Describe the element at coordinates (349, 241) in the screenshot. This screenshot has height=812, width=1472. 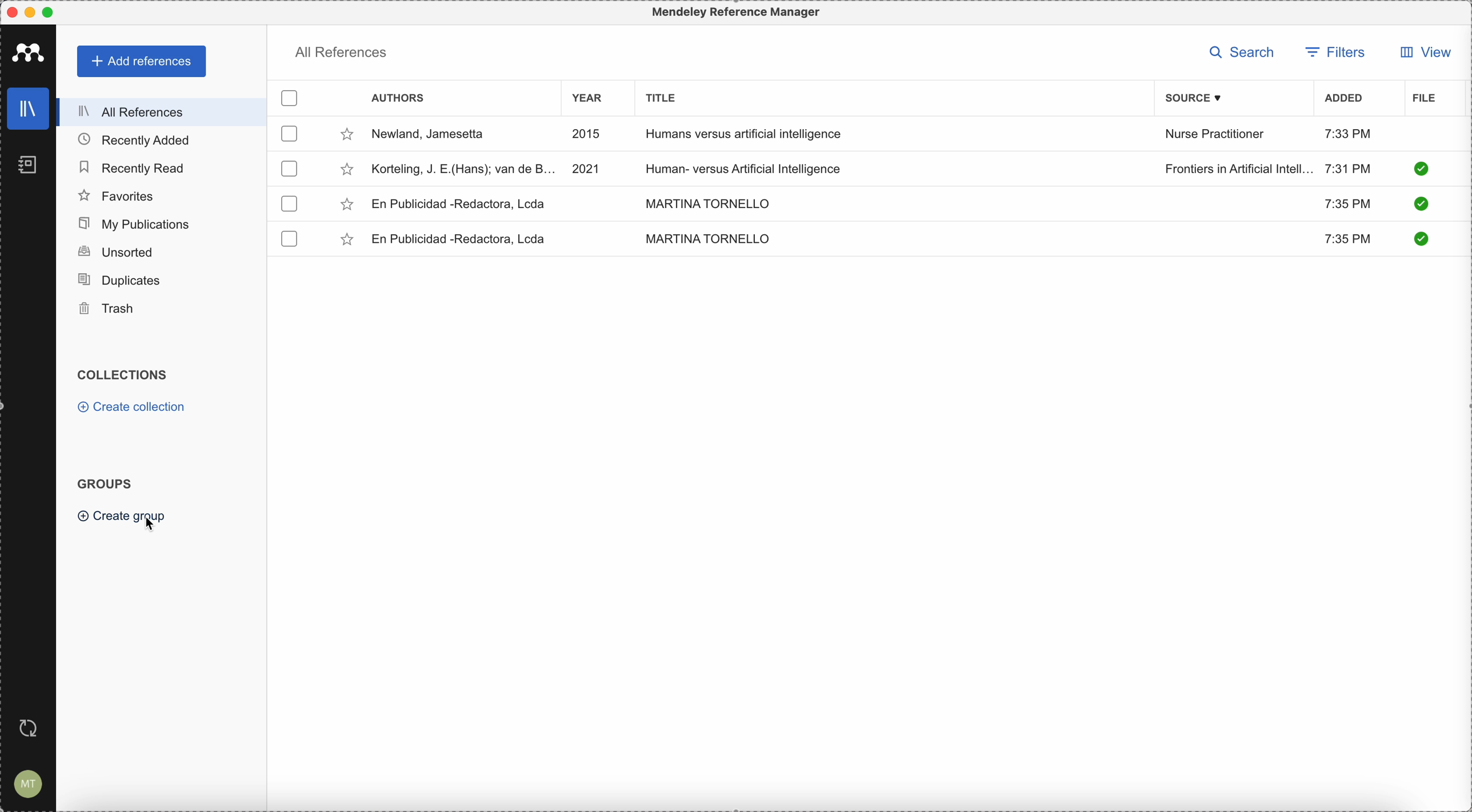
I see `favorite` at that location.